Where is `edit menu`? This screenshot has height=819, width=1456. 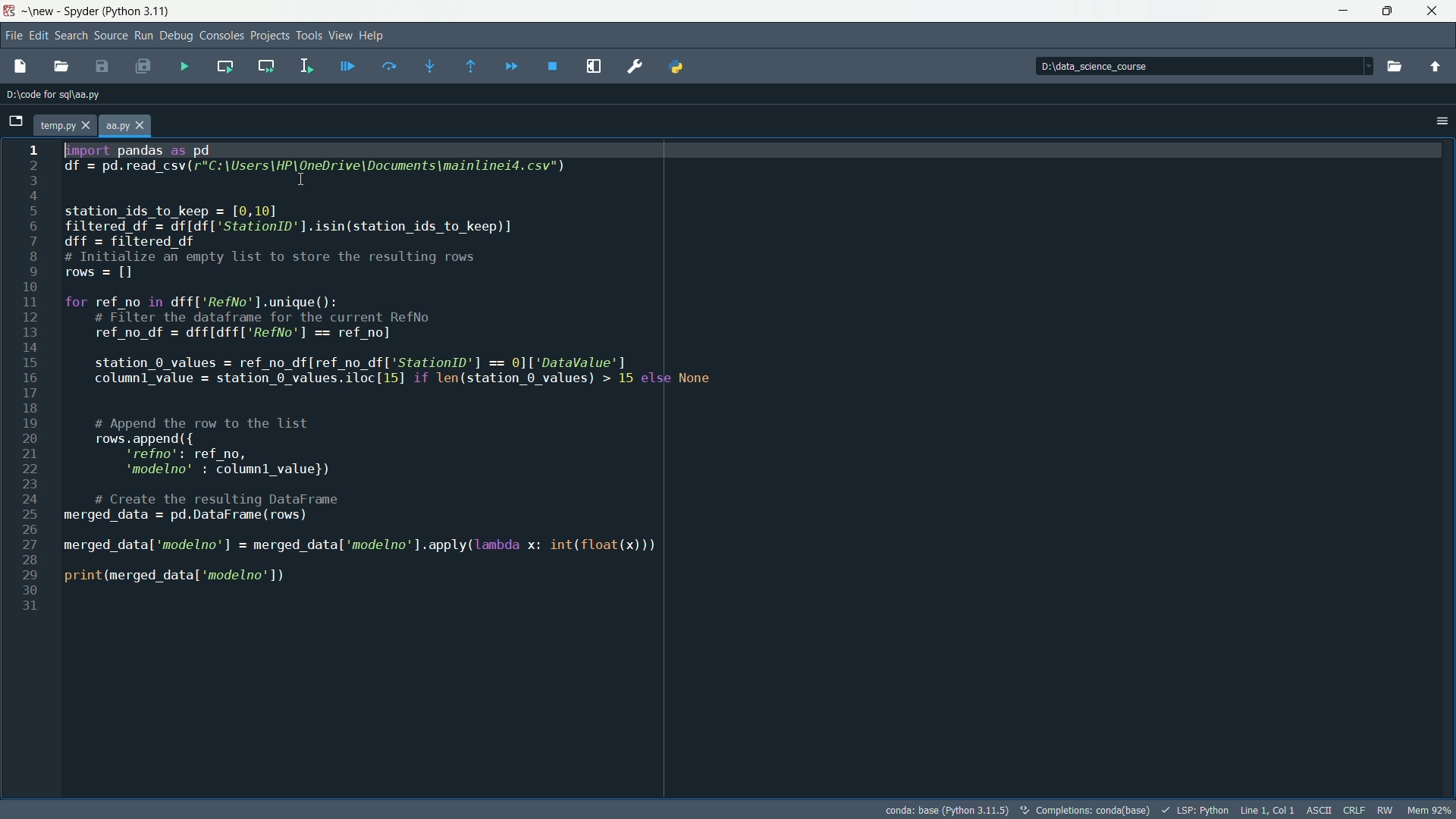 edit menu is located at coordinates (39, 35).